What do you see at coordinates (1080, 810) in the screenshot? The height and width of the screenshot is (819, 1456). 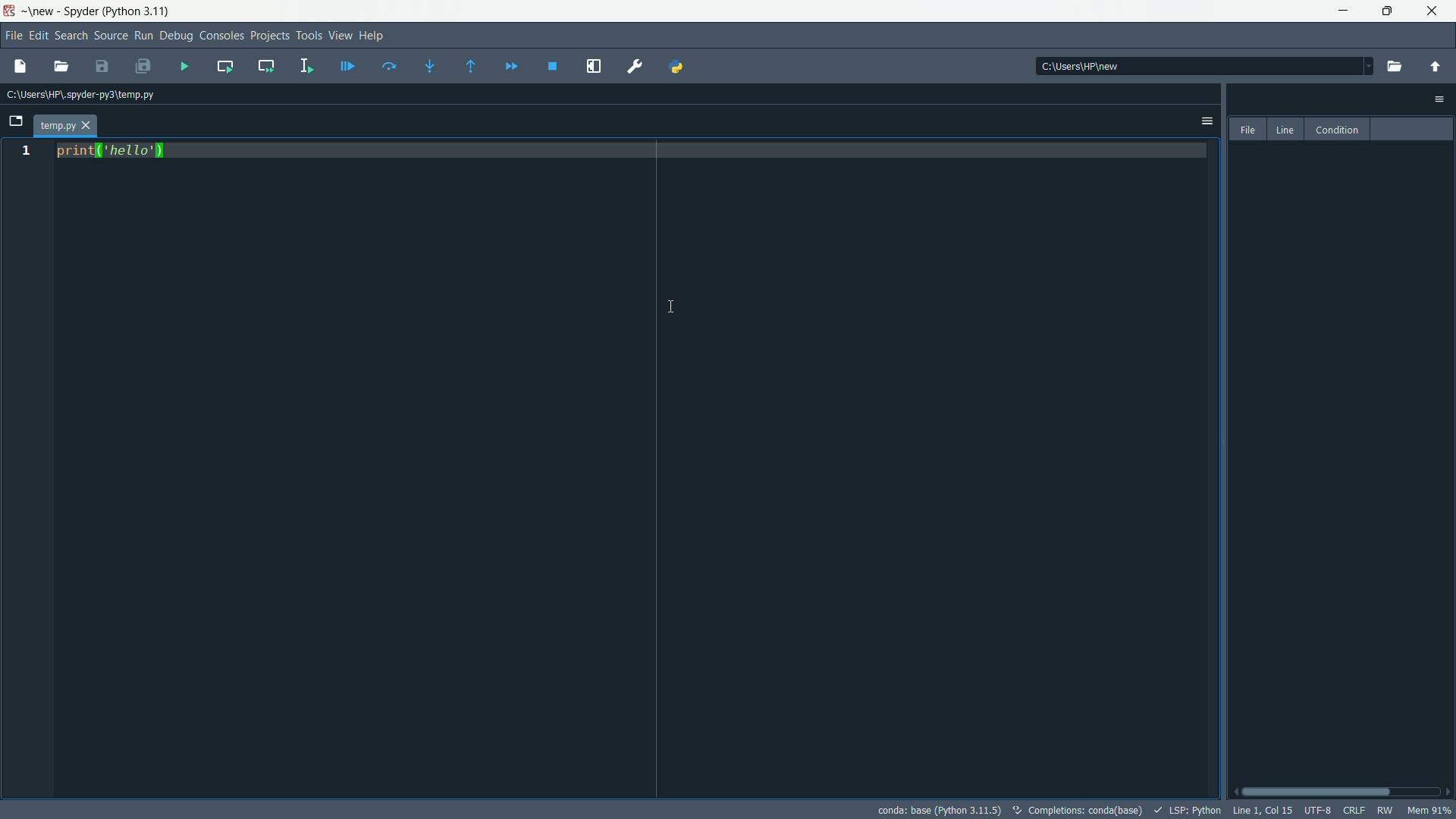 I see `completions: conda(base)` at bounding box center [1080, 810].